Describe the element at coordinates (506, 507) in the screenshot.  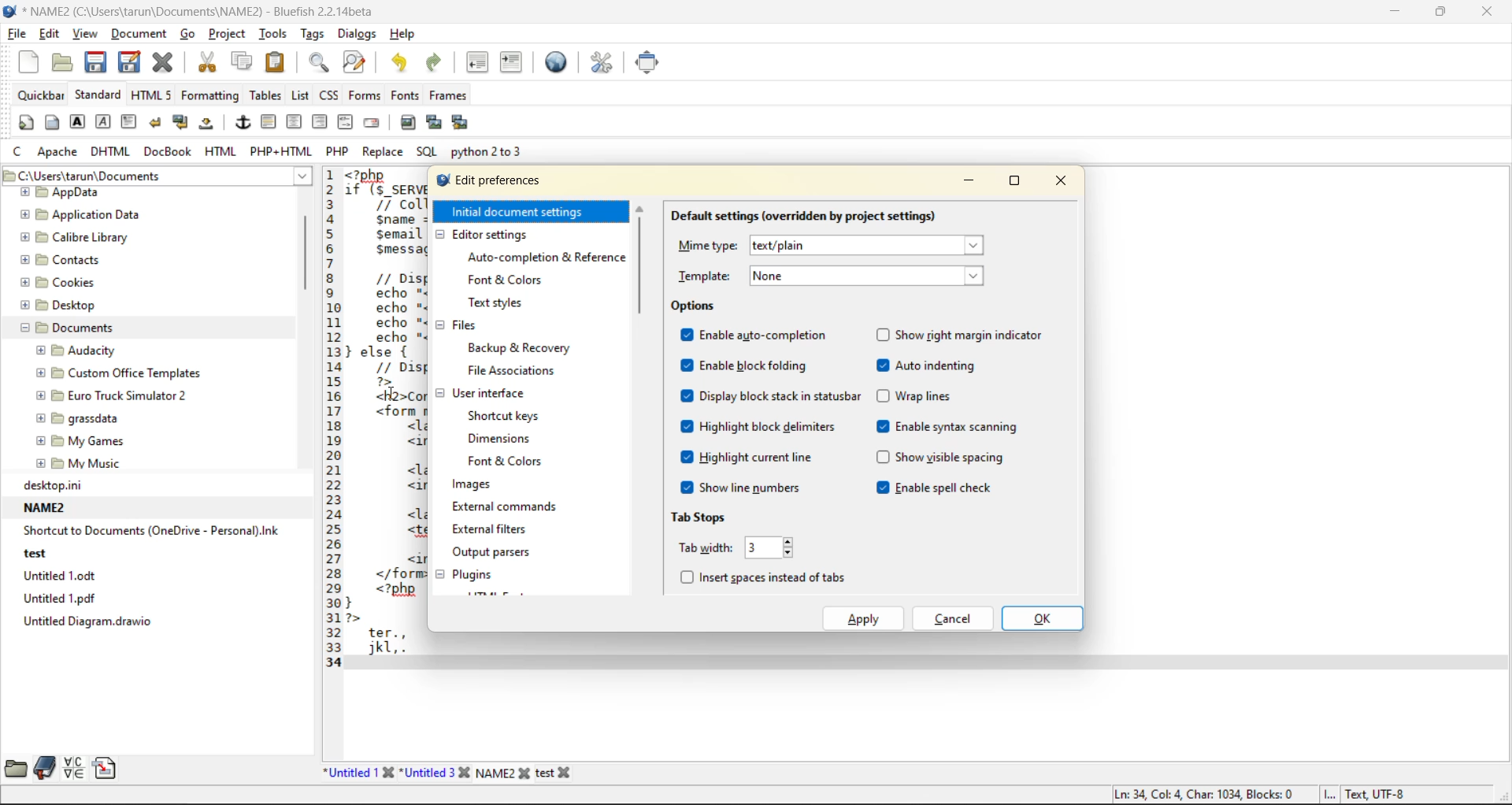
I see `external commands` at that location.